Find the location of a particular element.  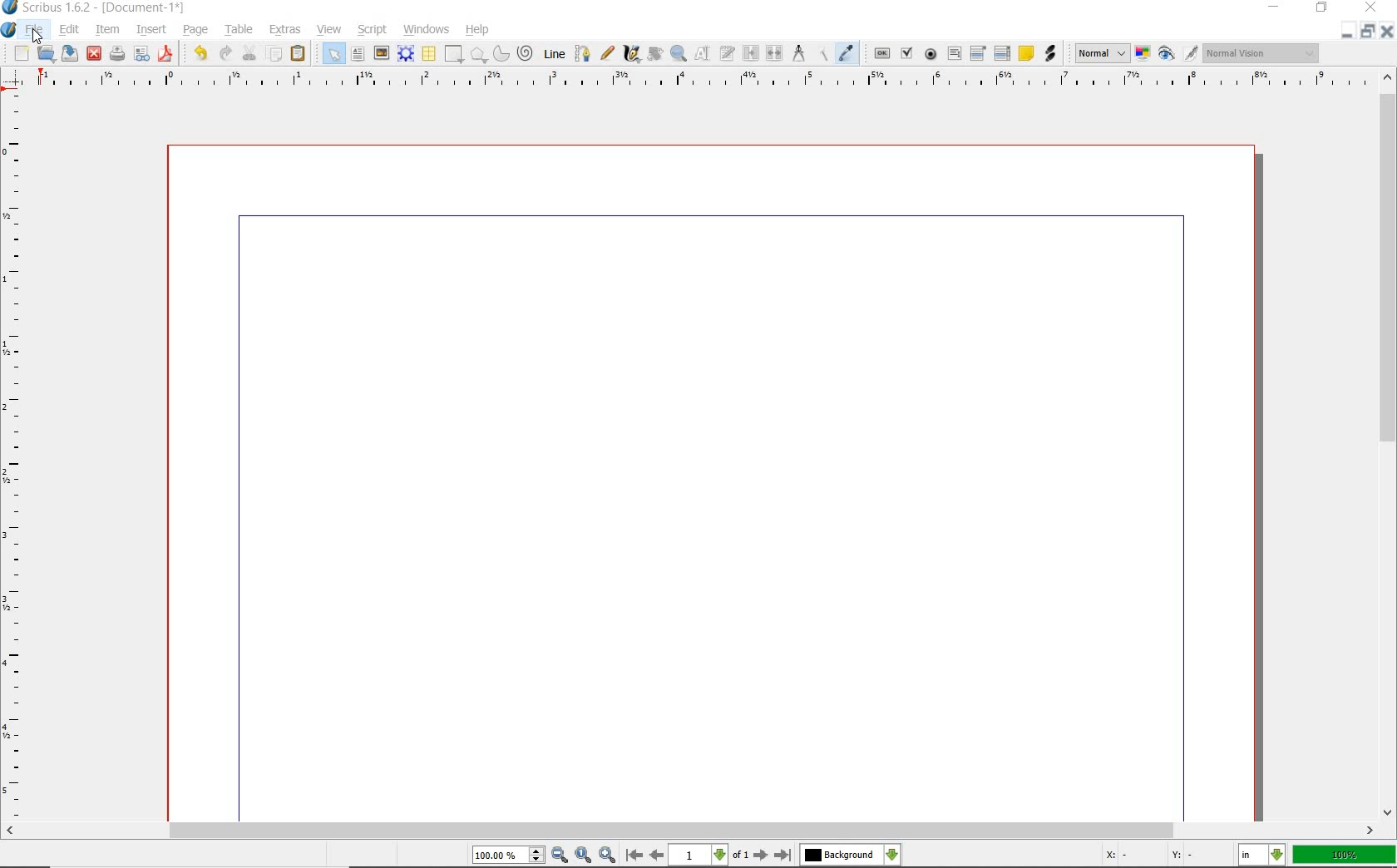

pdf radio button is located at coordinates (932, 54).